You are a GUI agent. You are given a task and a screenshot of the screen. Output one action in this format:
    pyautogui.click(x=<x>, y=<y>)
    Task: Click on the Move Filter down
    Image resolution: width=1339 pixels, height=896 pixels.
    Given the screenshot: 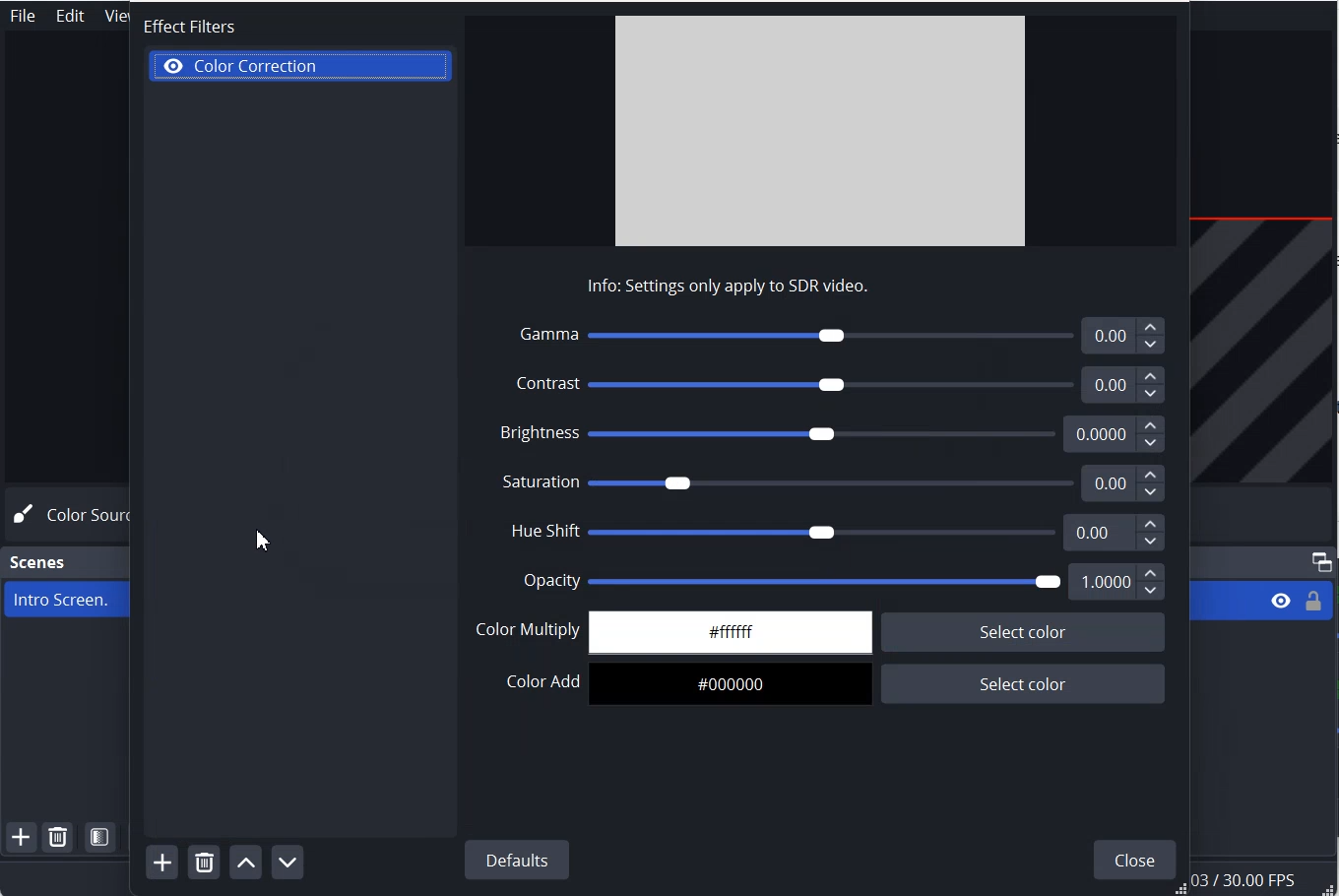 What is the action you would take?
    pyautogui.click(x=287, y=861)
    